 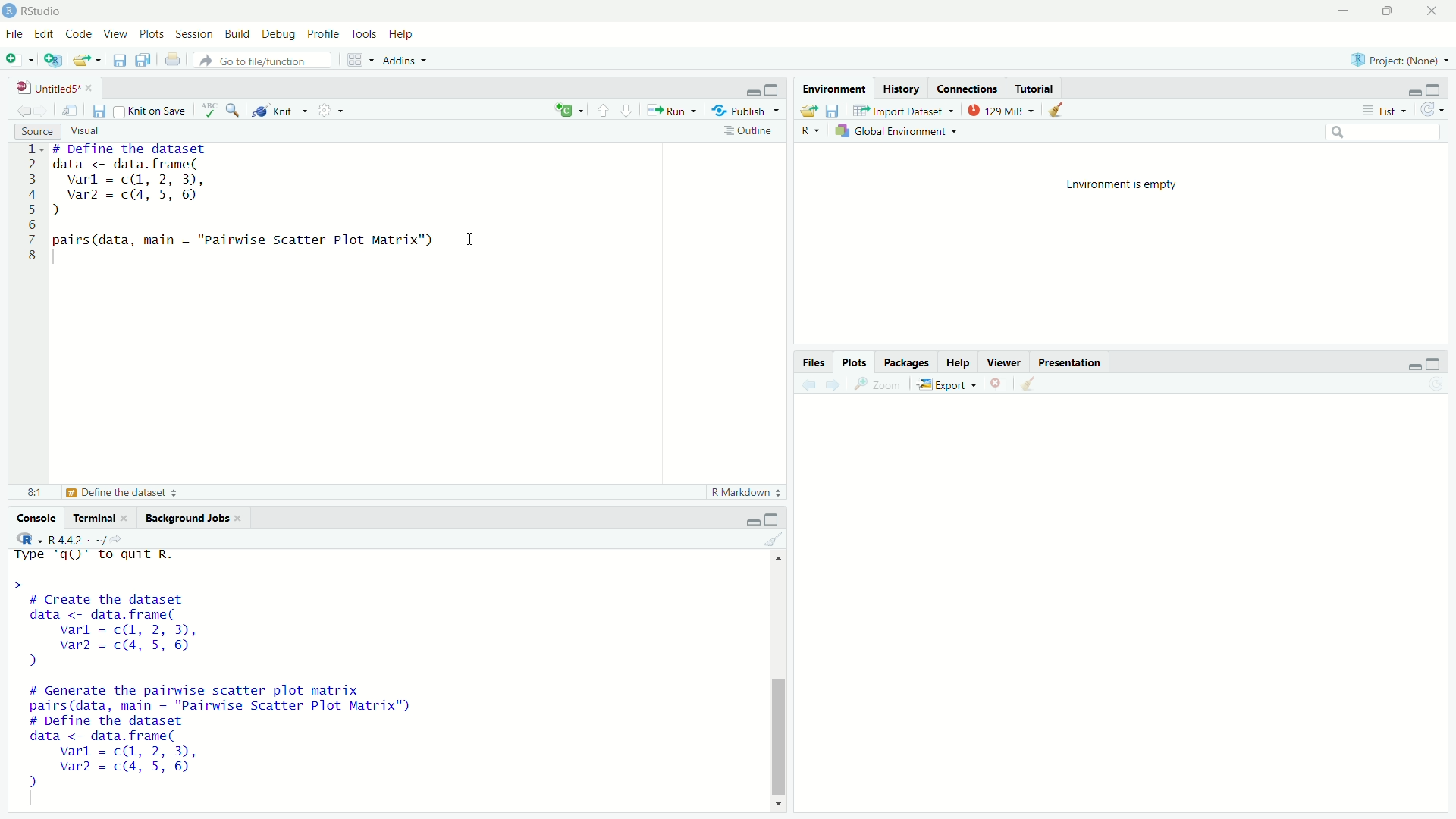 I want to click on List, so click(x=1385, y=110).